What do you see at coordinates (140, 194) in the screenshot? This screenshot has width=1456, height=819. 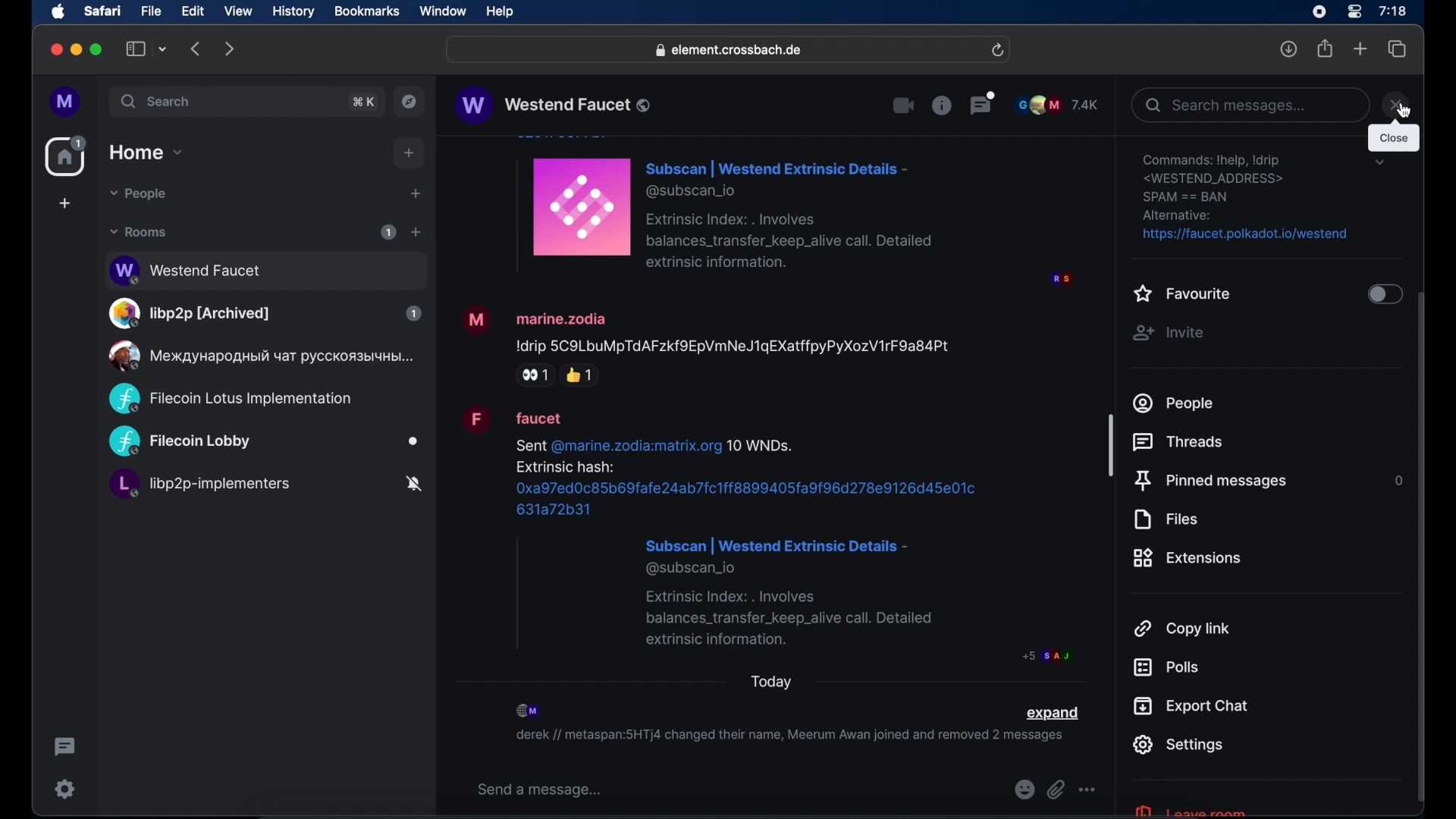 I see `` at bounding box center [140, 194].